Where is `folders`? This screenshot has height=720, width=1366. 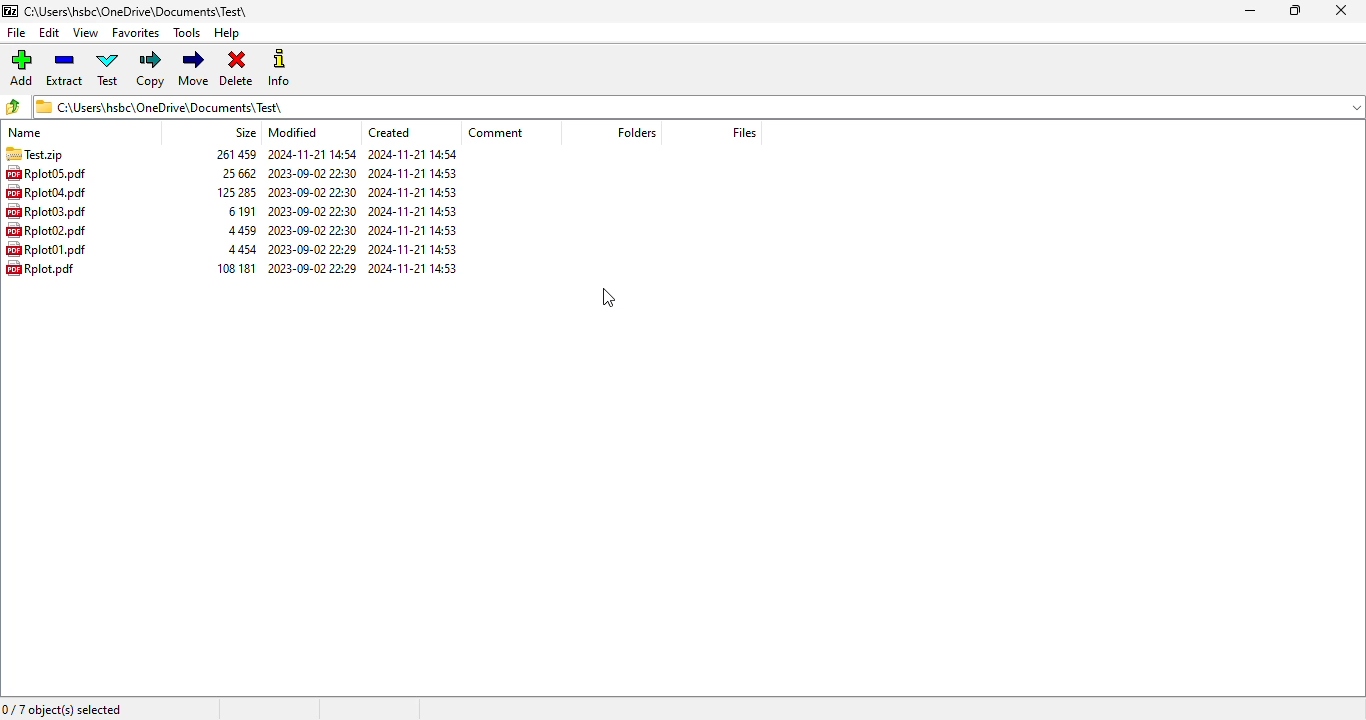
folders is located at coordinates (636, 133).